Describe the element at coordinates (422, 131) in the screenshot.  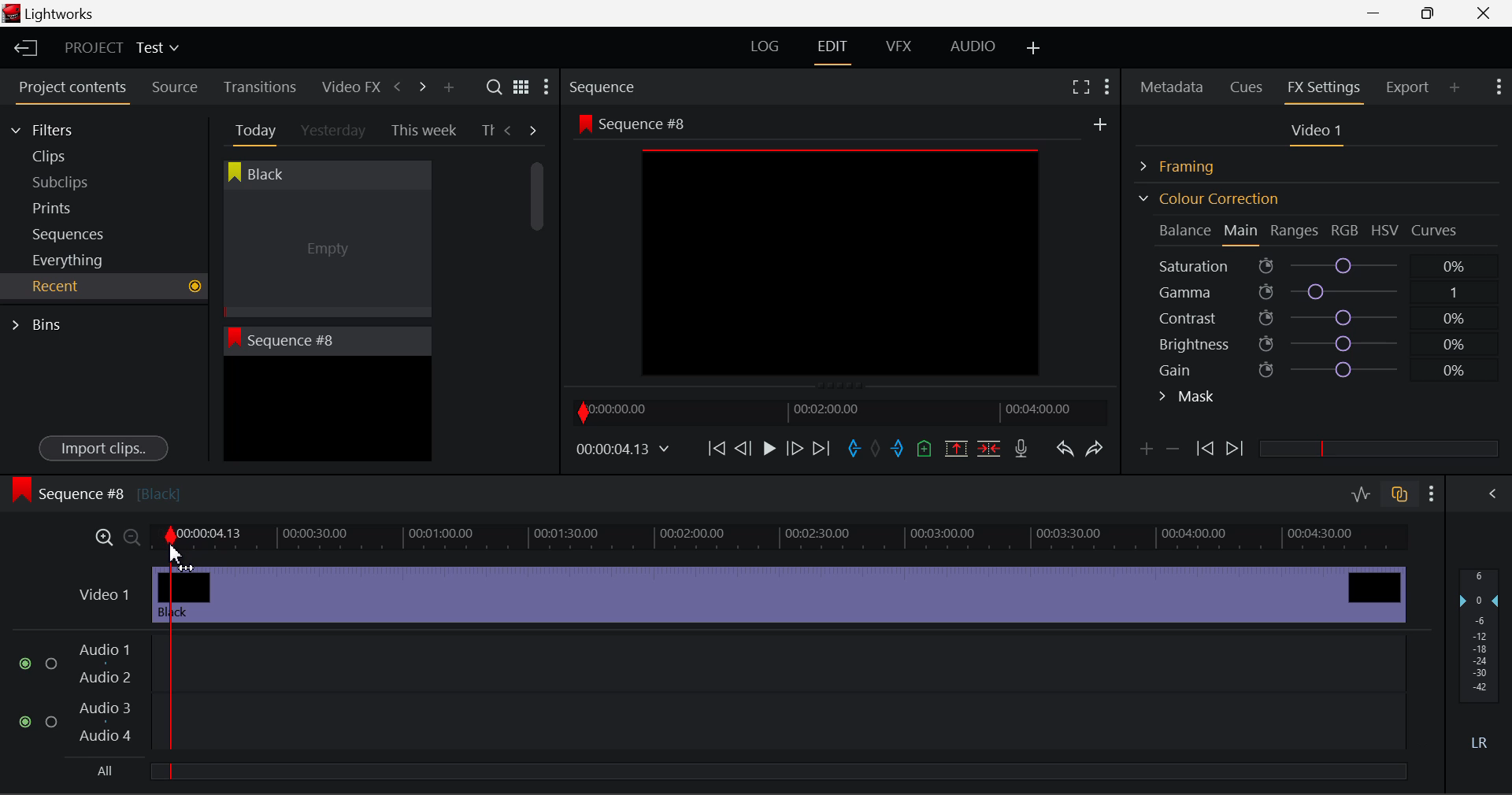
I see `This week Tab` at that location.